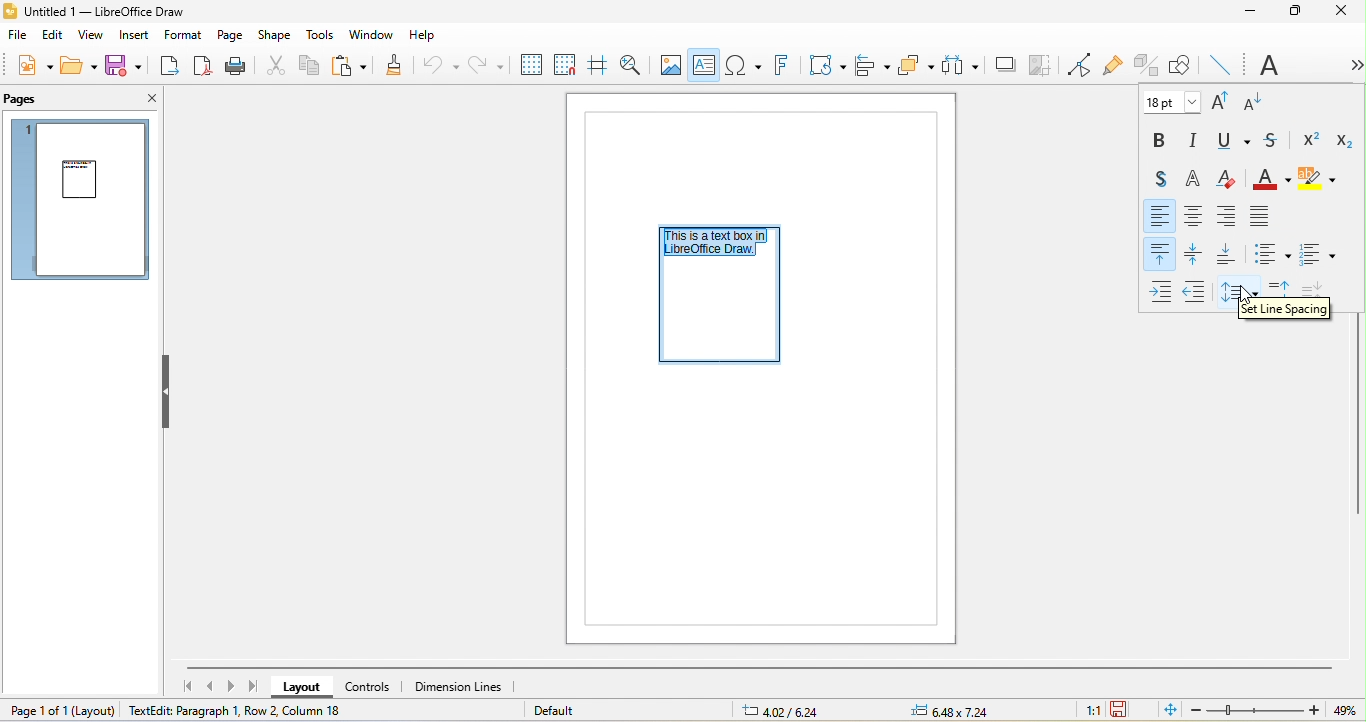  Describe the element at coordinates (1077, 63) in the screenshot. I see `toggle point edit mode` at that location.